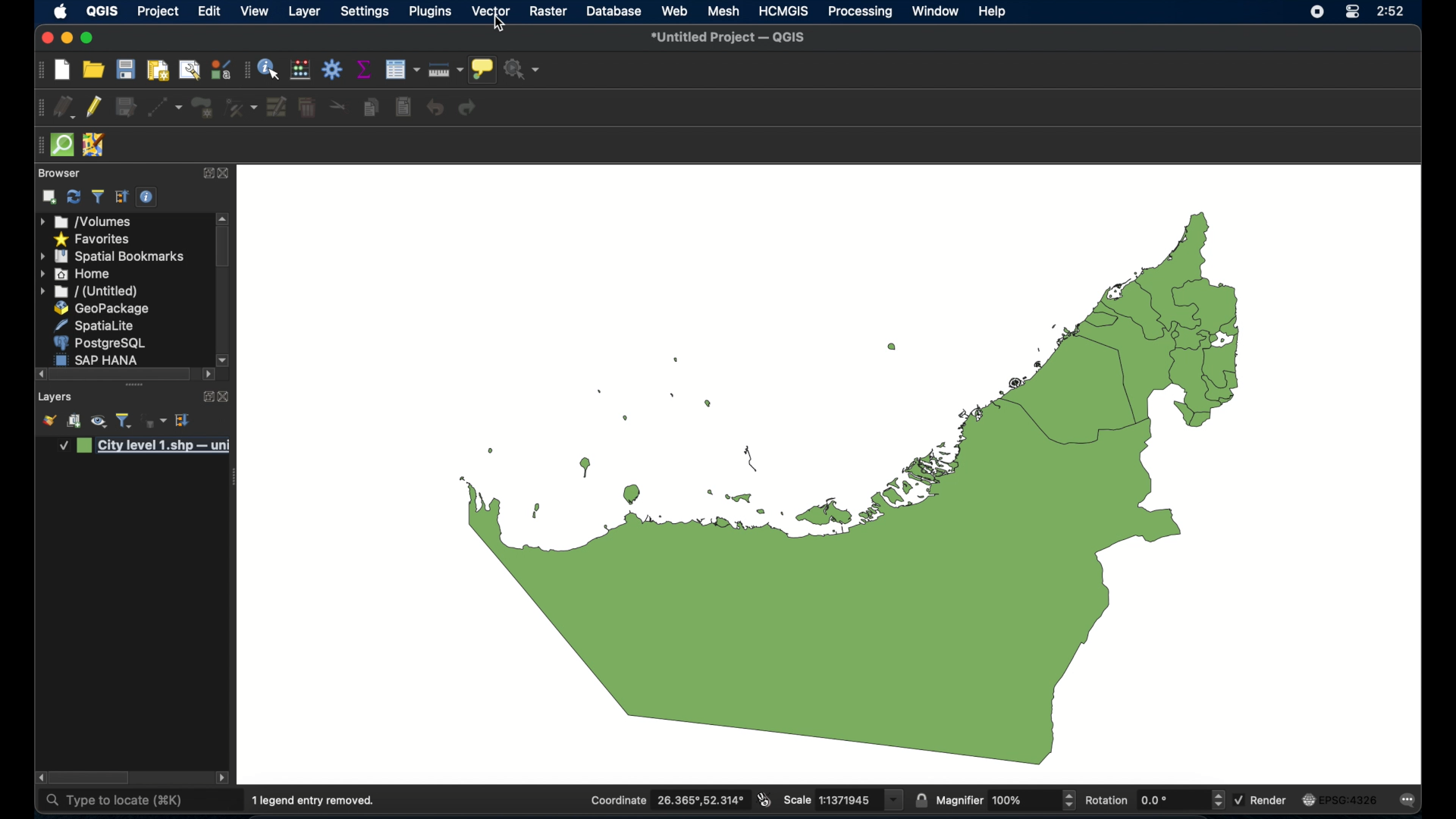  I want to click on home, so click(77, 274).